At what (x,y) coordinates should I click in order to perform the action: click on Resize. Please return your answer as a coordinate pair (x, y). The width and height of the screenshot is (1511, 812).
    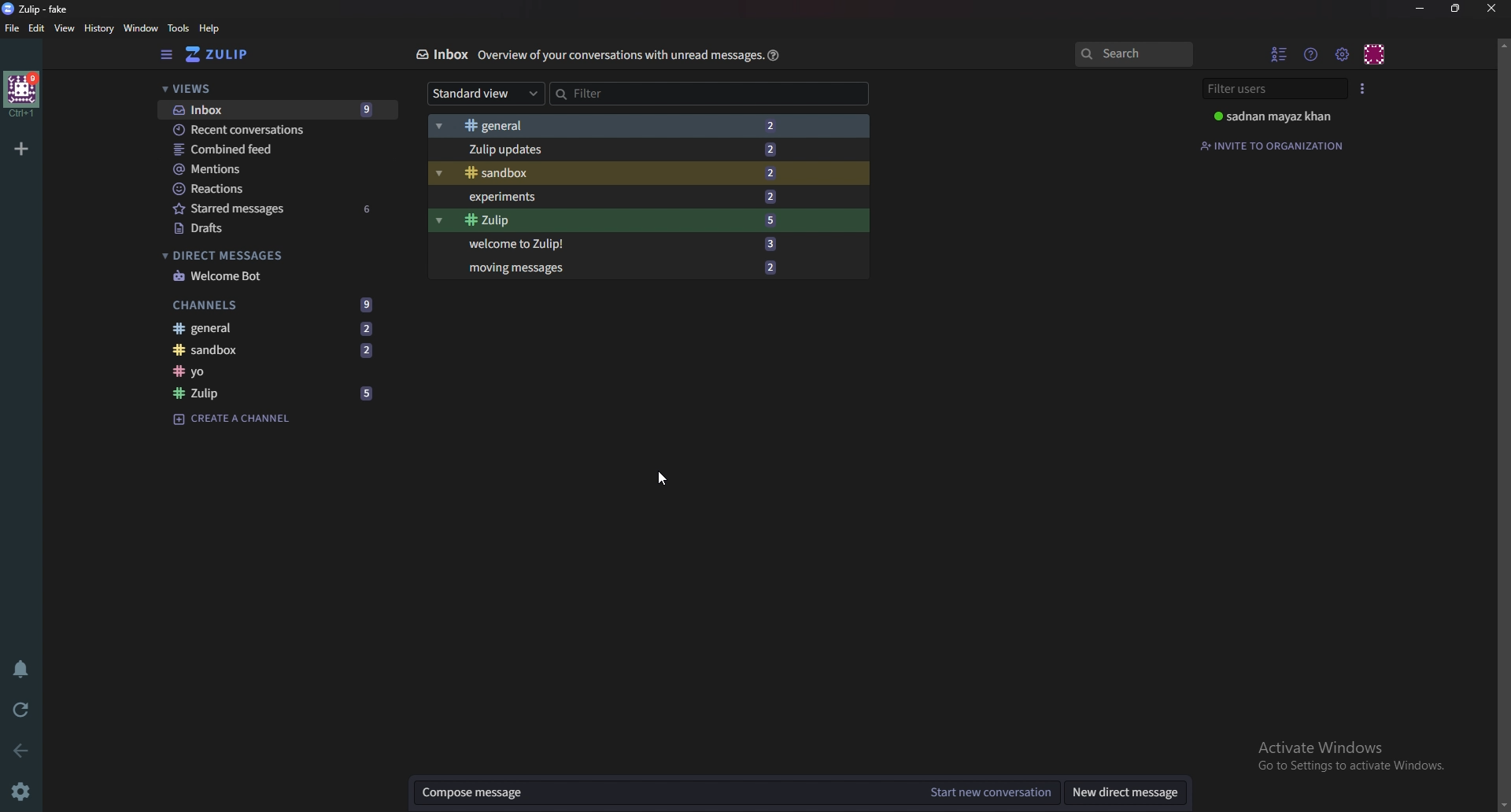
    Looking at the image, I should click on (1454, 9).